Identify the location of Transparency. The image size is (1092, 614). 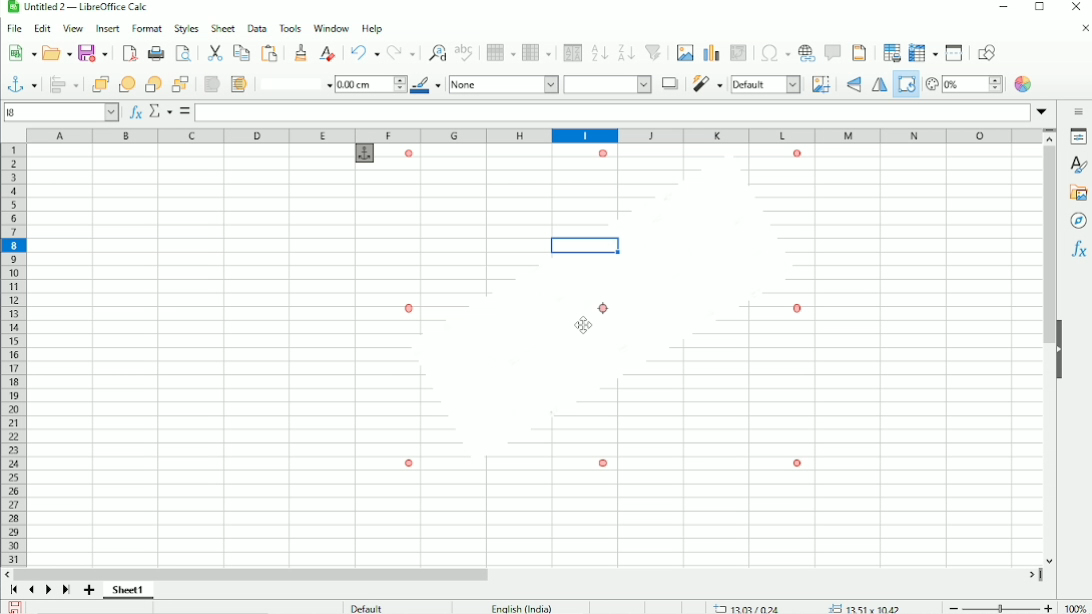
(964, 85).